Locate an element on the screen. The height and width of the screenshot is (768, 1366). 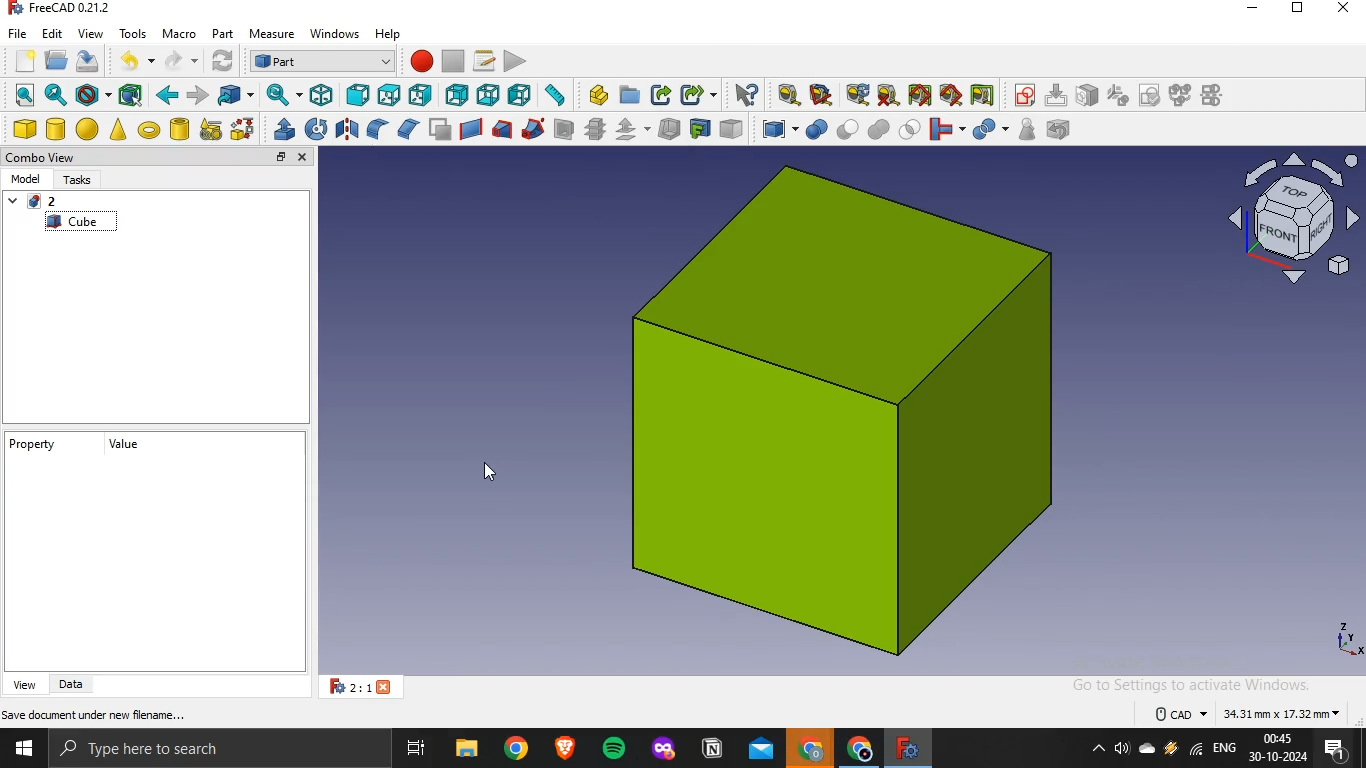
toggle delta is located at coordinates (984, 93).